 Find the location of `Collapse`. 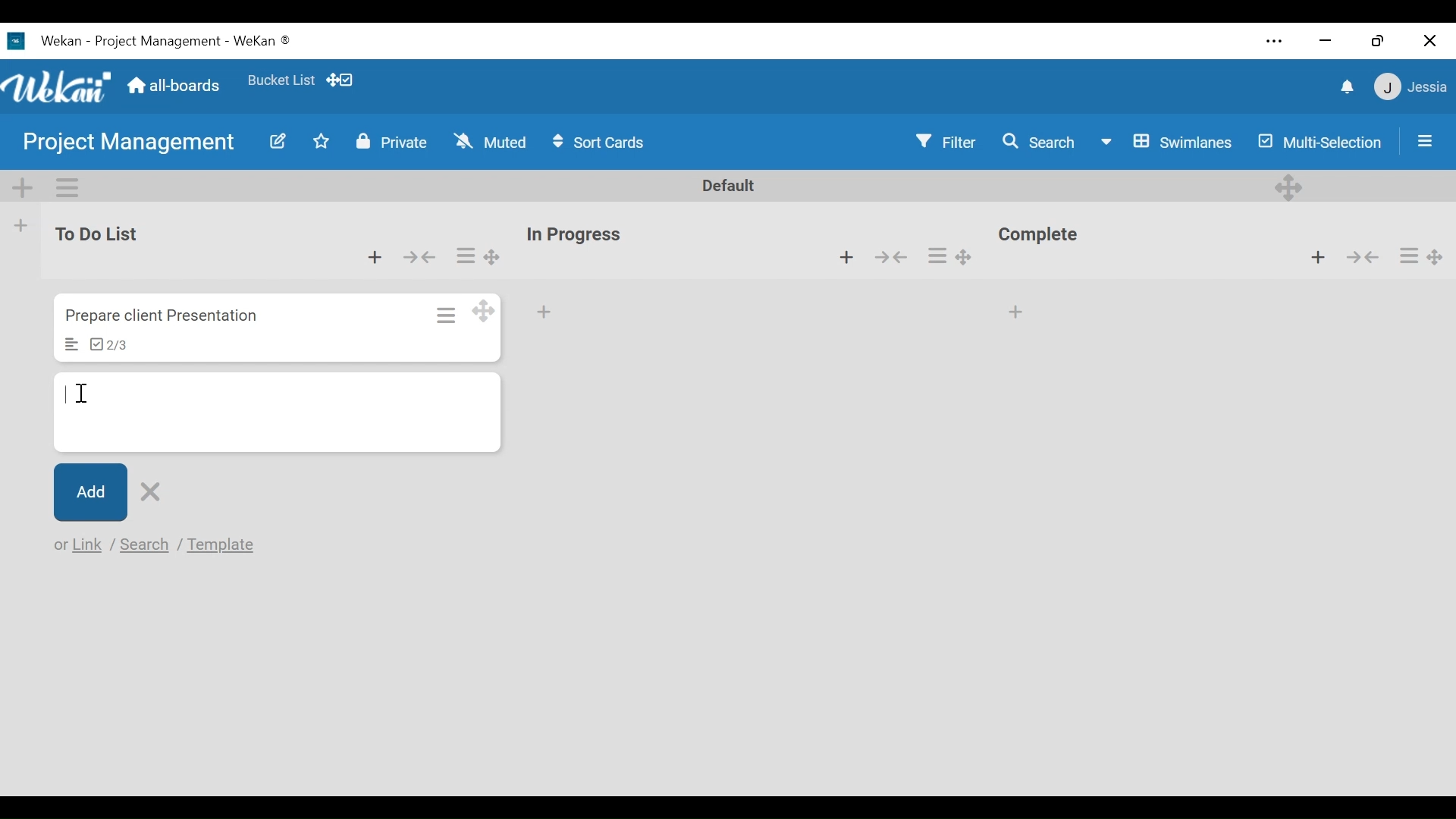

Collapse is located at coordinates (896, 259).